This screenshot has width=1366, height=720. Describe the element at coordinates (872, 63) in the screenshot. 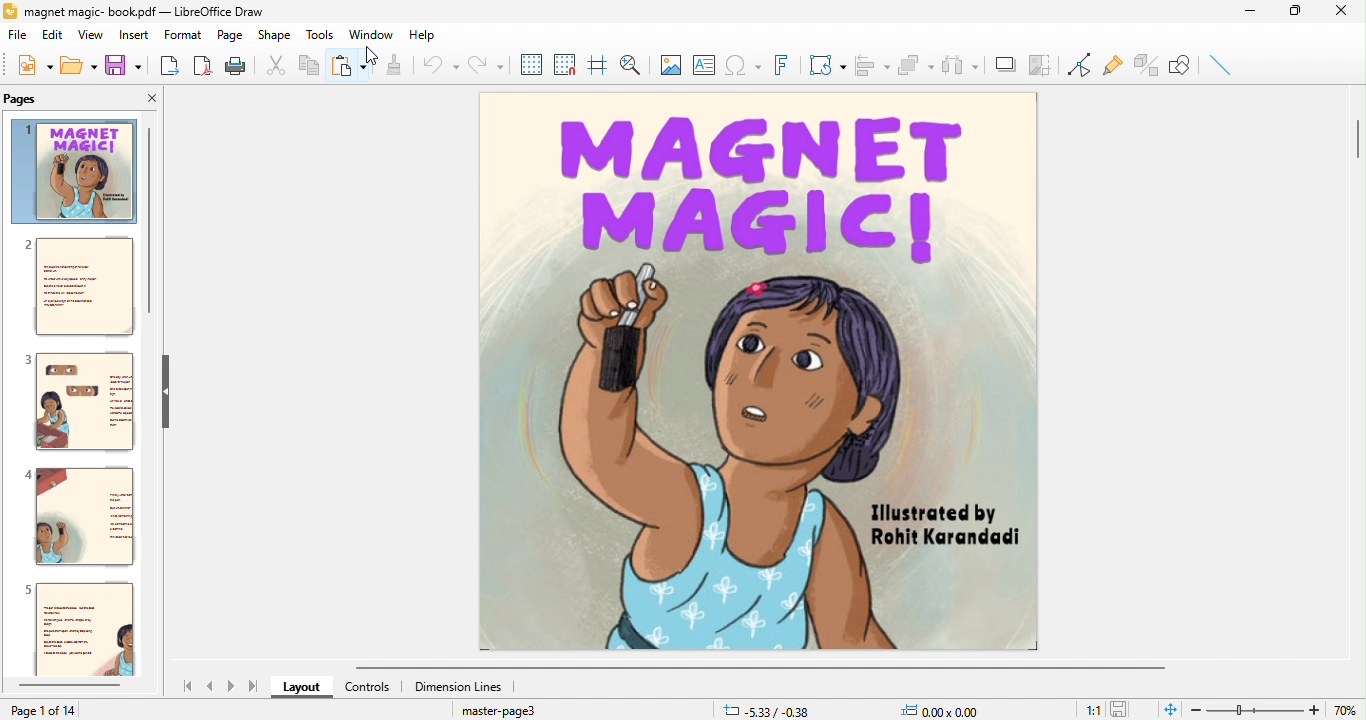

I see `align object` at that location.